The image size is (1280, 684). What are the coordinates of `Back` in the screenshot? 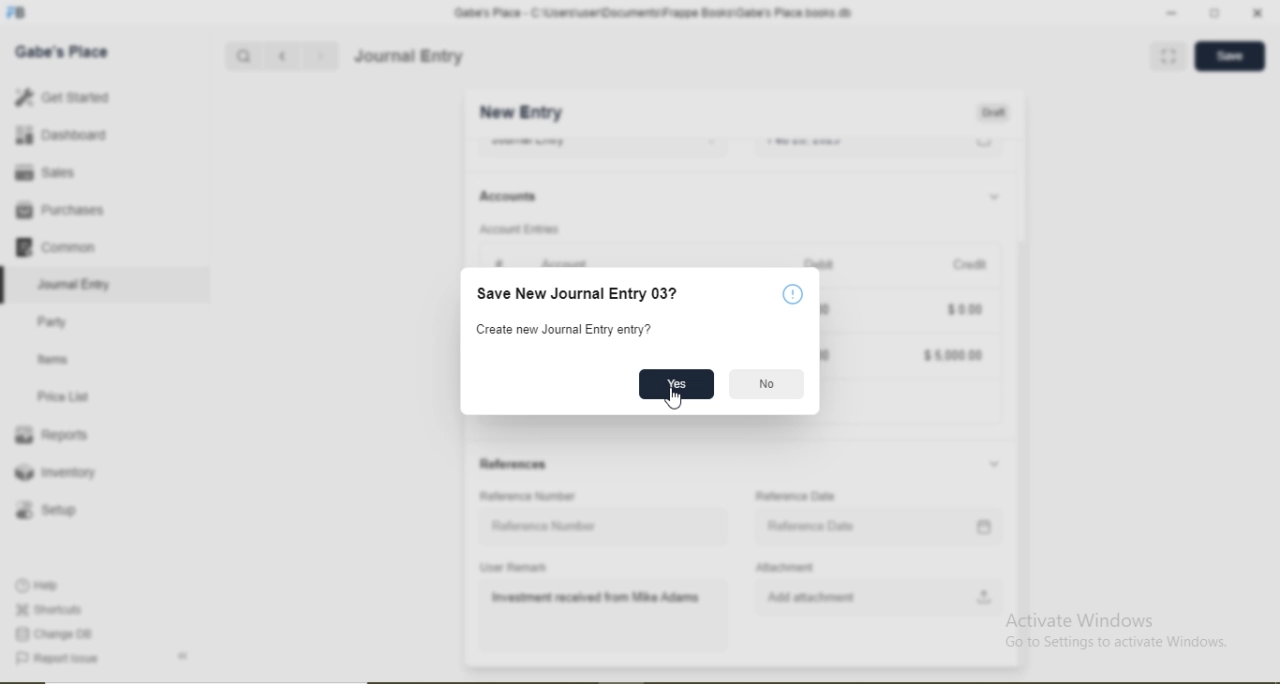 It's located at (182, 656).